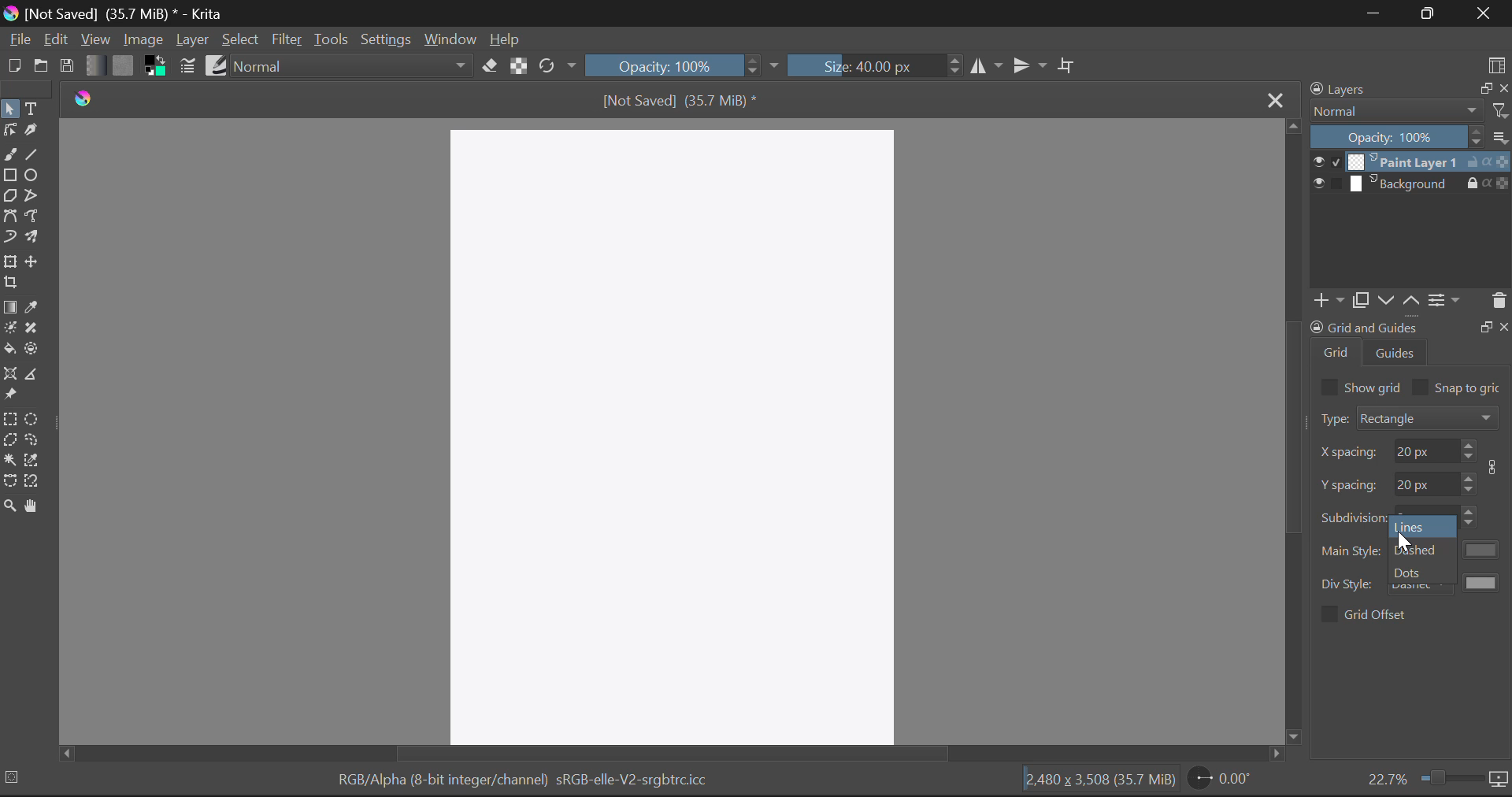 This screenshot has height=797, width=1512. I want to click on Layer, so click(193, 40).